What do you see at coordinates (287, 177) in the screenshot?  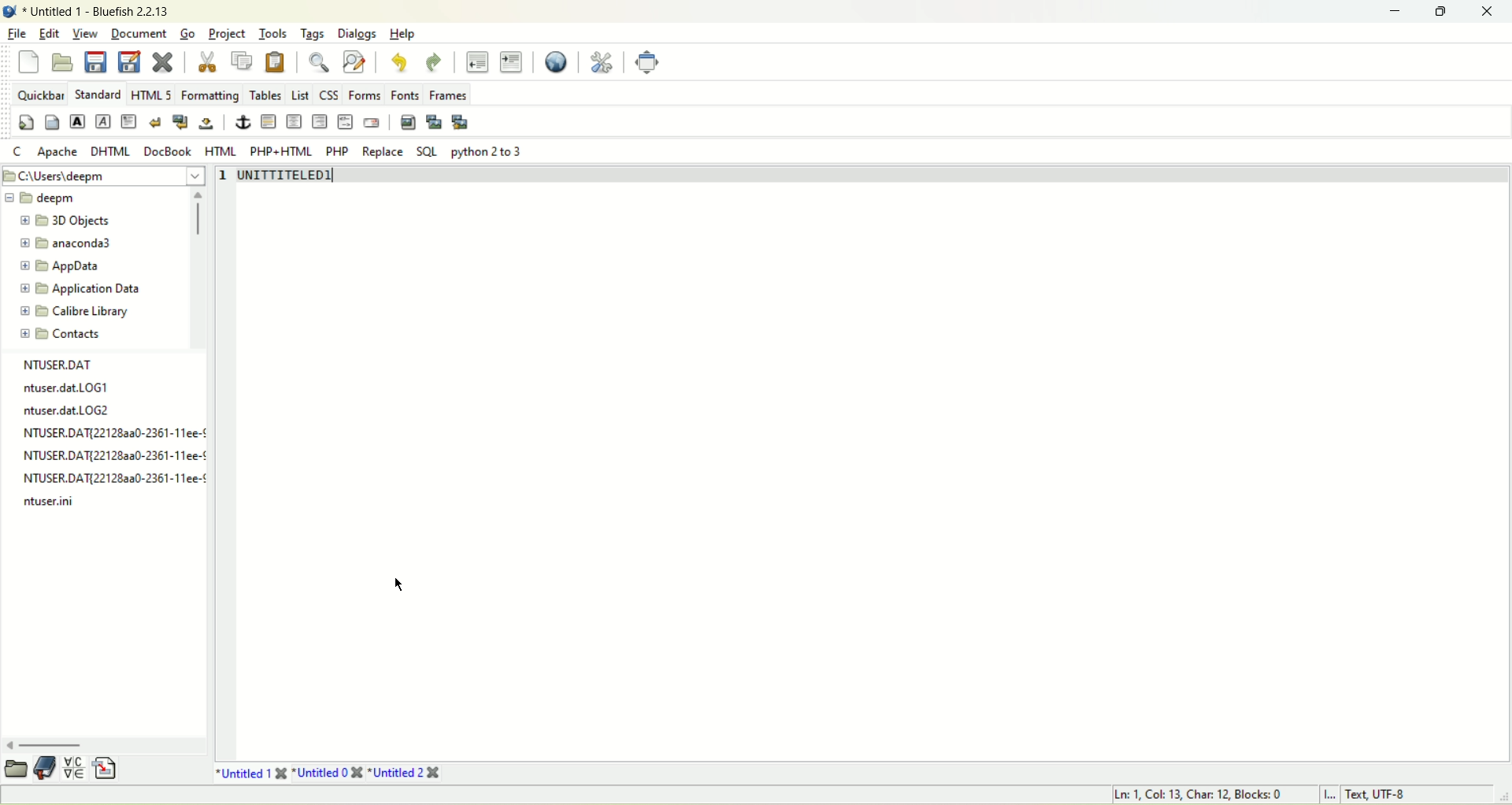 I see `text` at bounding box center [287, 177].